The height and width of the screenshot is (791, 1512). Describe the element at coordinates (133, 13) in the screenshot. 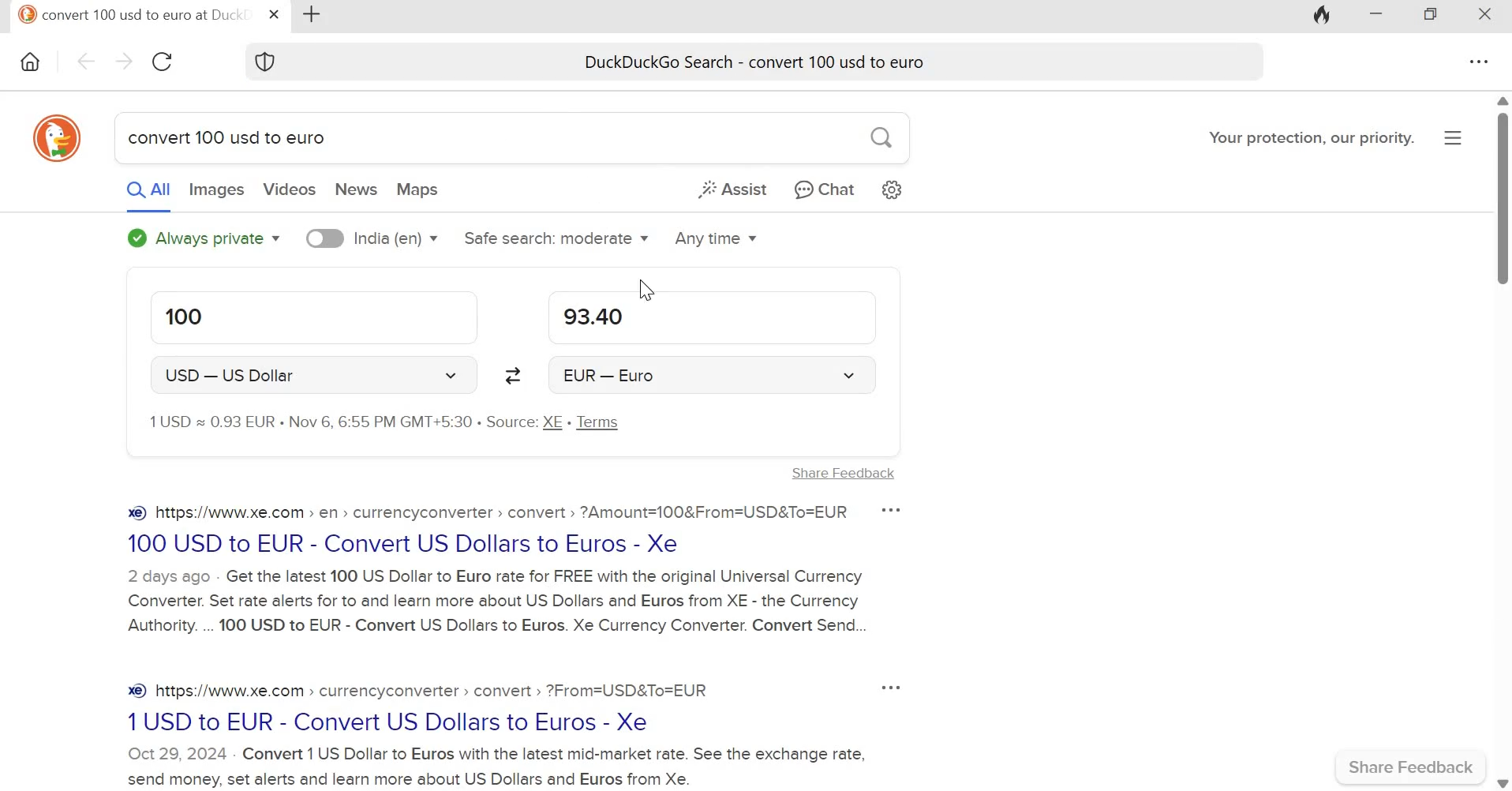

I see `convert 100 usd to euro at DuckDuckGo` at that location.